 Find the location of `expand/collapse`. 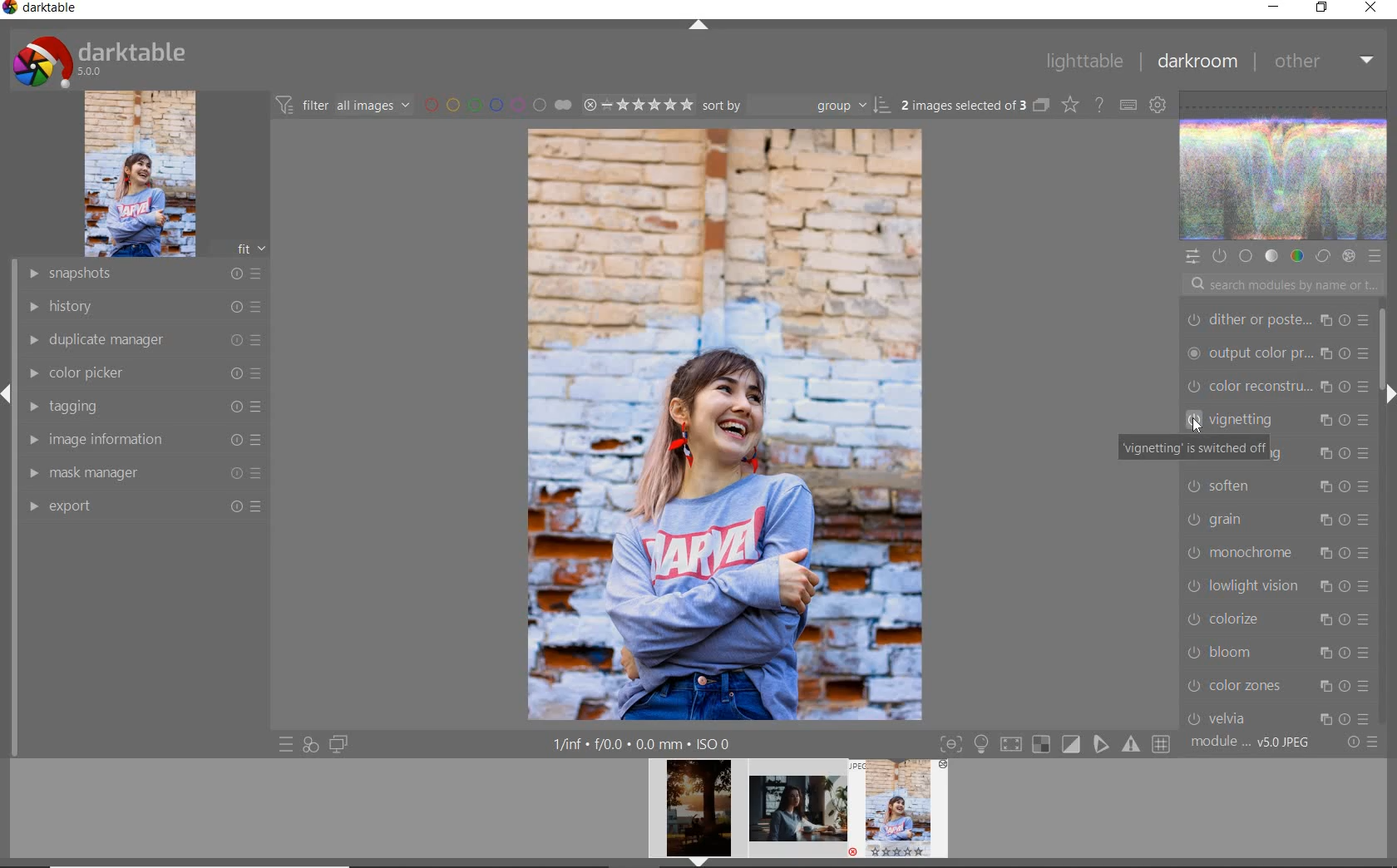

expand/collapse is located at coordinates (1386, 393).